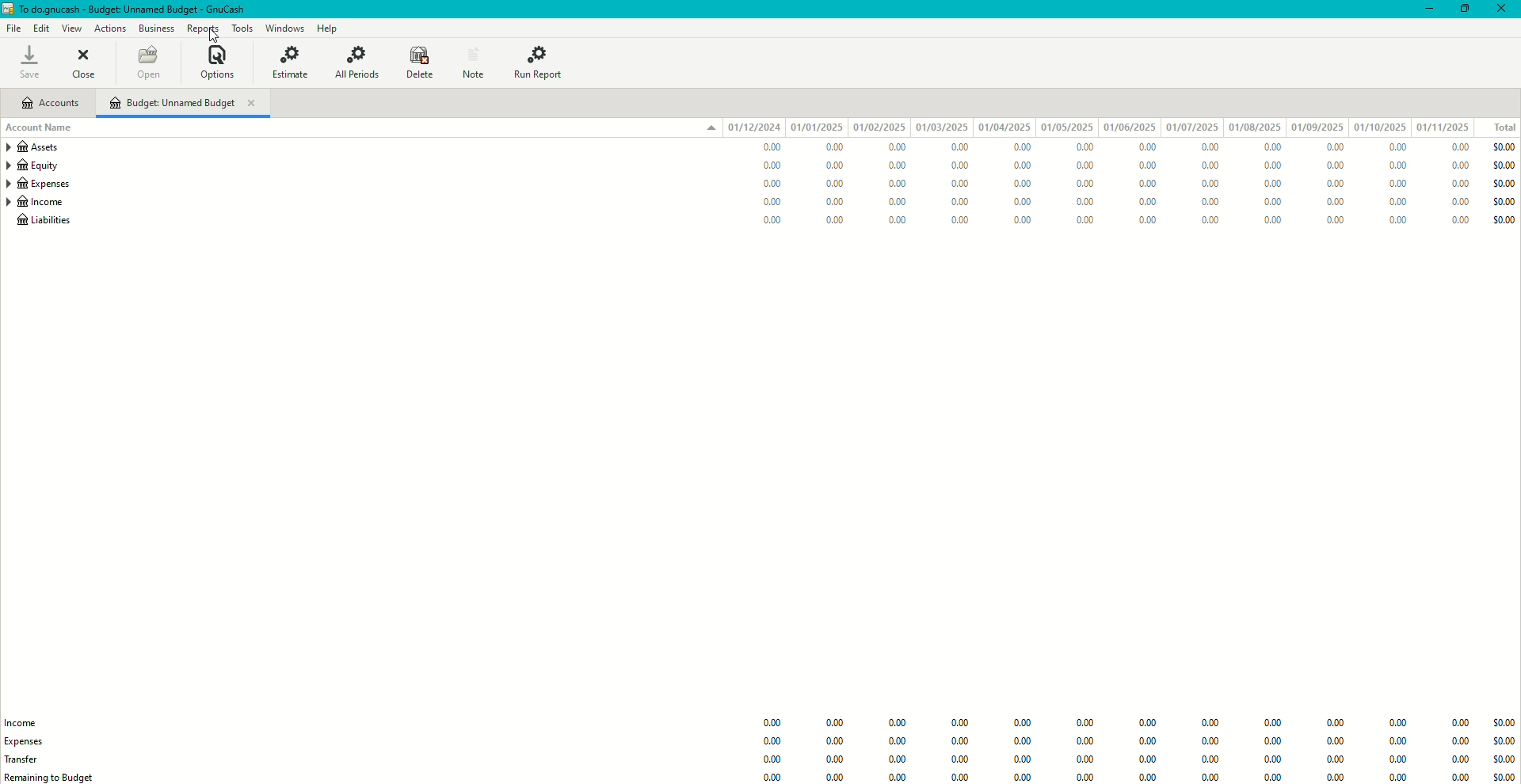  What do you see at coordinates (1210, 778) in the screenshot?
I see `0.00` at bounding box center [1210, 778].